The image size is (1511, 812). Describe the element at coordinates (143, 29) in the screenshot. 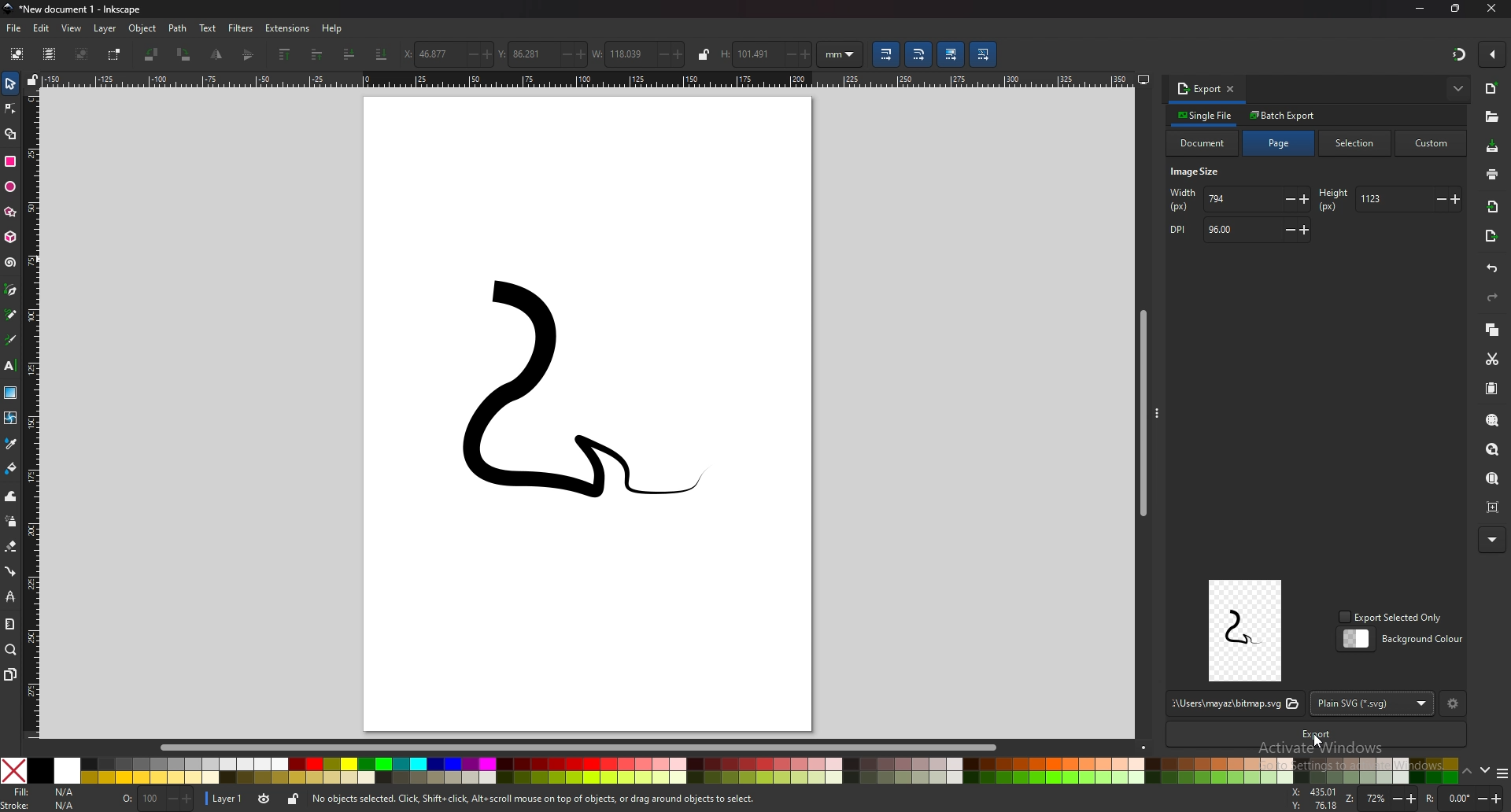

I see `object` at that location.